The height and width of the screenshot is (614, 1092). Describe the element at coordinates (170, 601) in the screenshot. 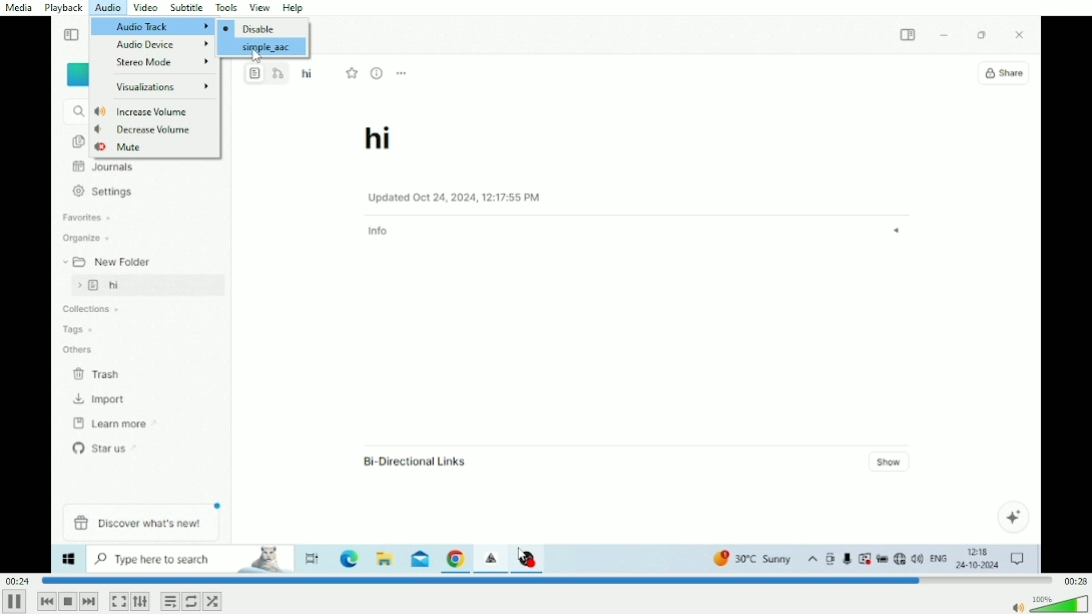

I see `Toggle playlist` at that location.